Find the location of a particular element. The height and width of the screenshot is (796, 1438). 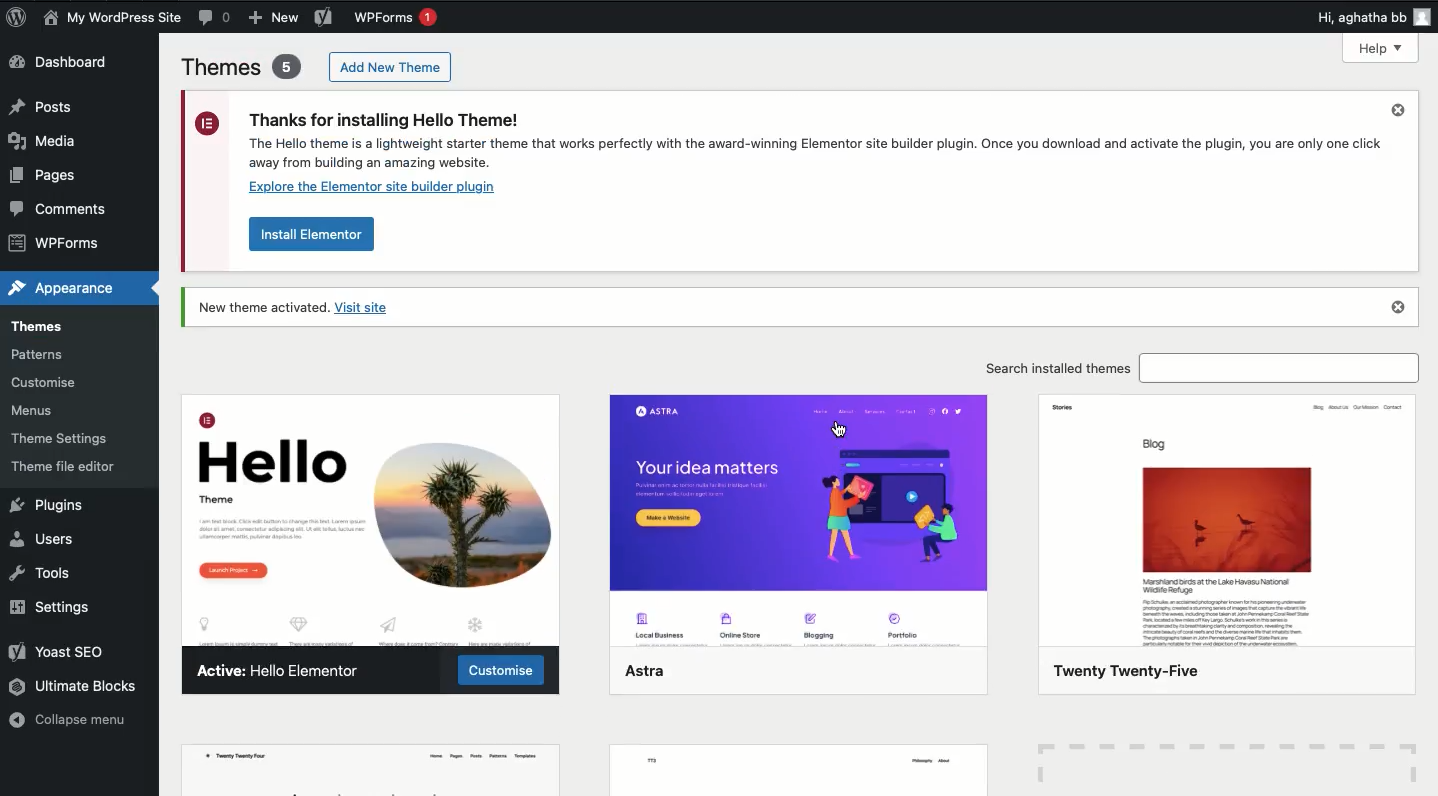

Collapse menu is located at coordinates (67, 720).